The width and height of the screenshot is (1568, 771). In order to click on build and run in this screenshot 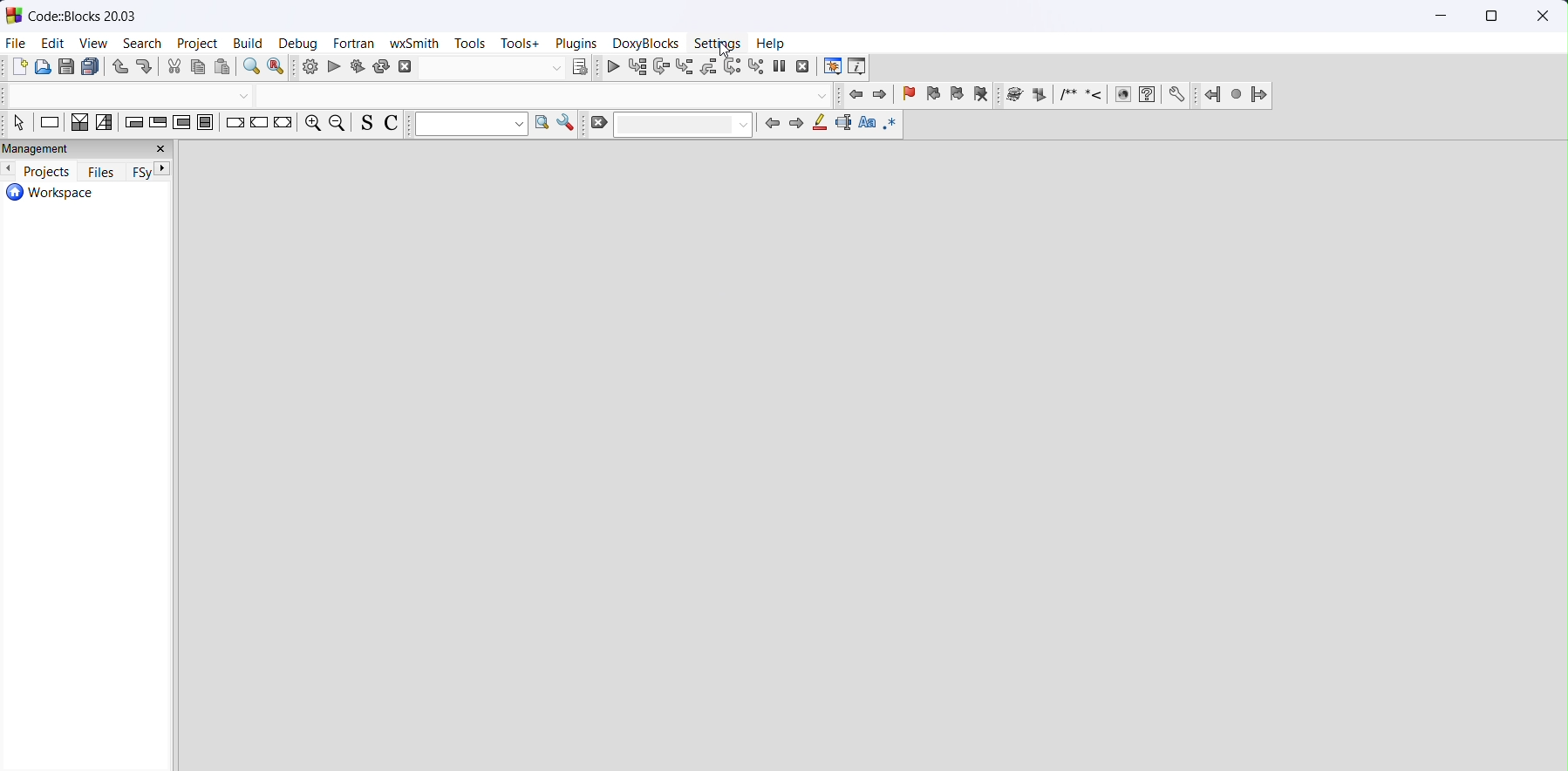, I will do `click(359, 67)`.